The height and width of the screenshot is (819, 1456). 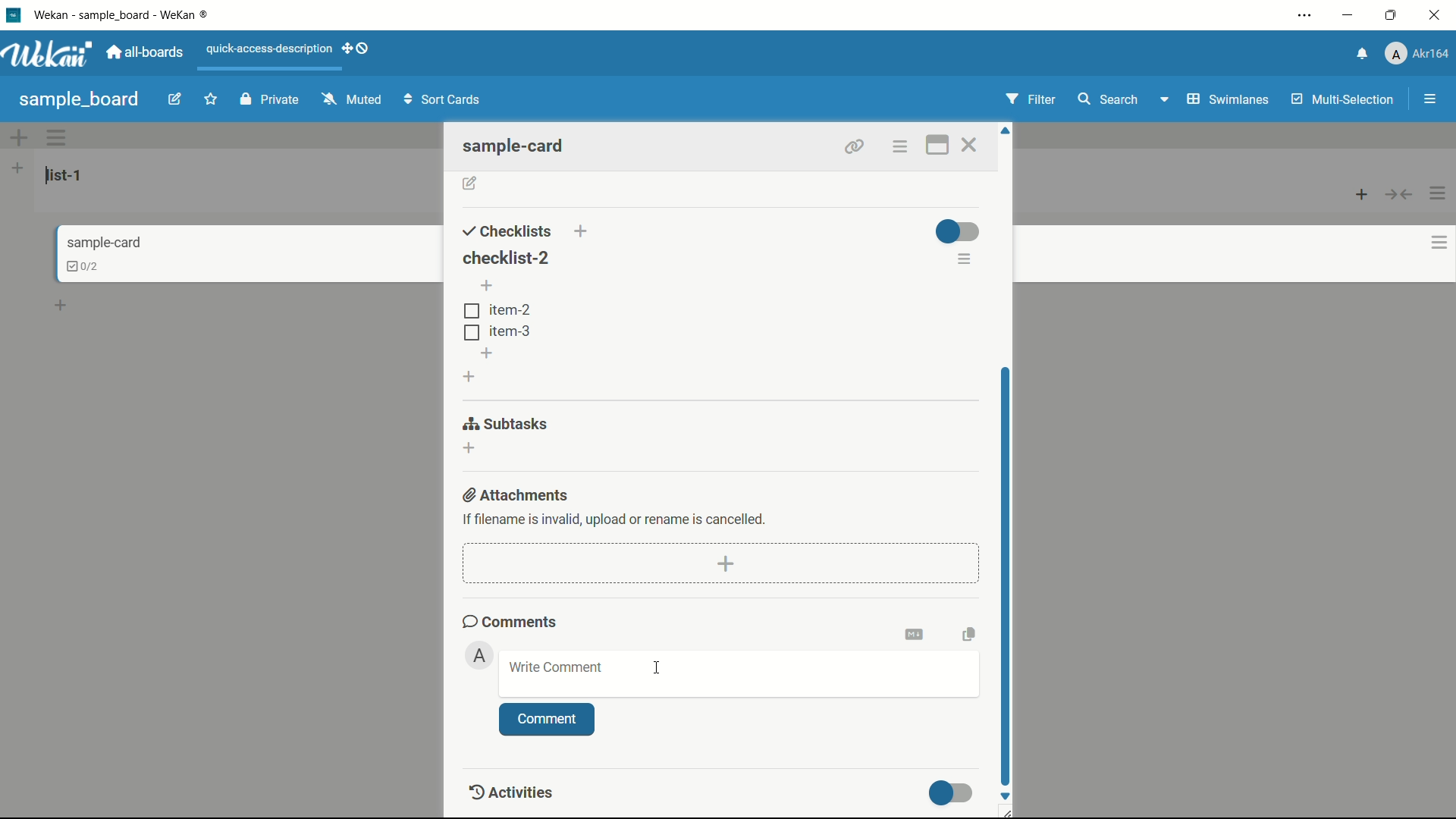 What do you see at coordinates (470, 448) in the screenshot?
I see `add subtasks` at bounding box center [470, 448].